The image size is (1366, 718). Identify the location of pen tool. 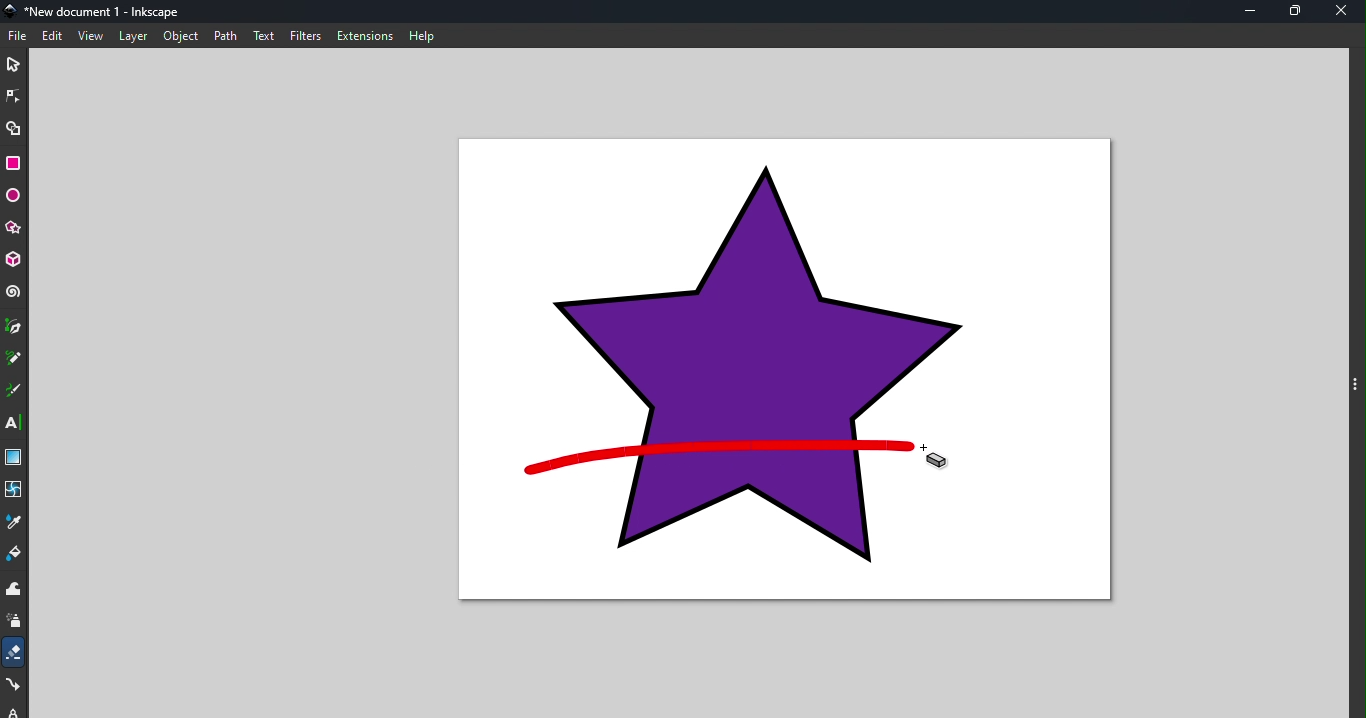
(14, 327).